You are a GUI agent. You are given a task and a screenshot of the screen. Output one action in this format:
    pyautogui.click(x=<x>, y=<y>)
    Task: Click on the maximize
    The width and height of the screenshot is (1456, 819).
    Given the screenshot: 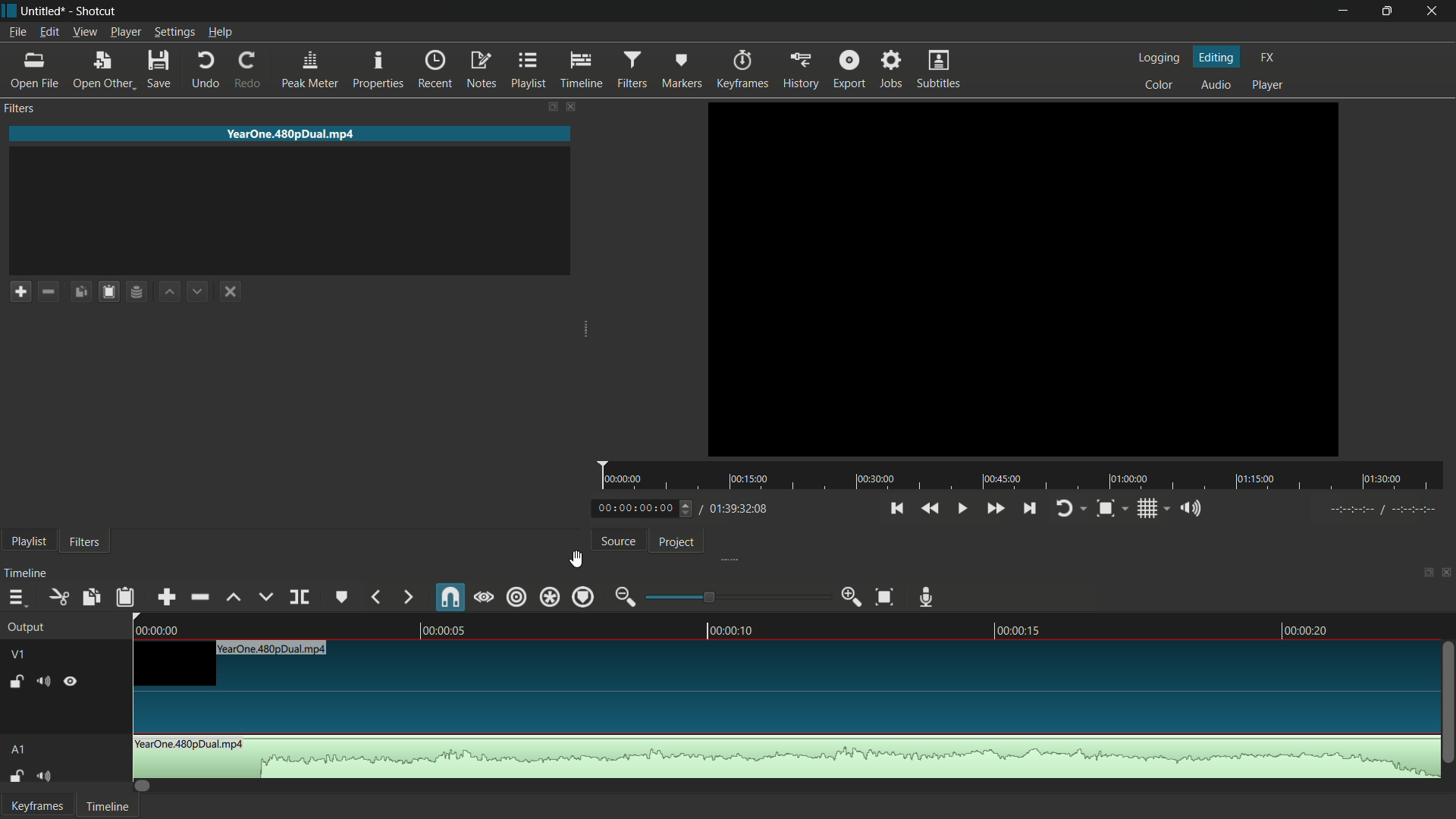 What is the action you would take?
    pyautogui.click(x=1387, y=11)
    